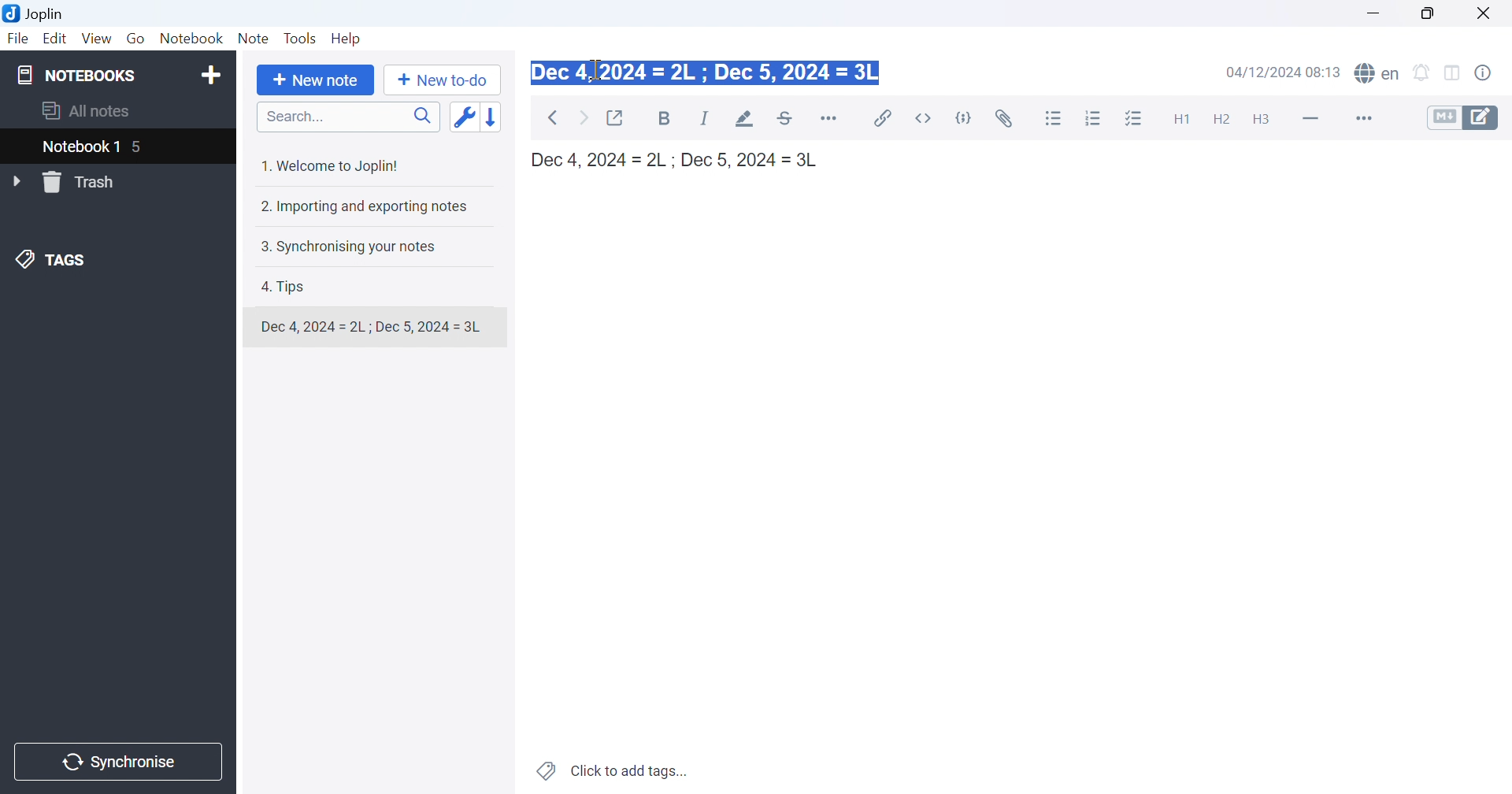 This screenshot has height=794, width=1512. I want to click on Horizontal, so click(832, 118).